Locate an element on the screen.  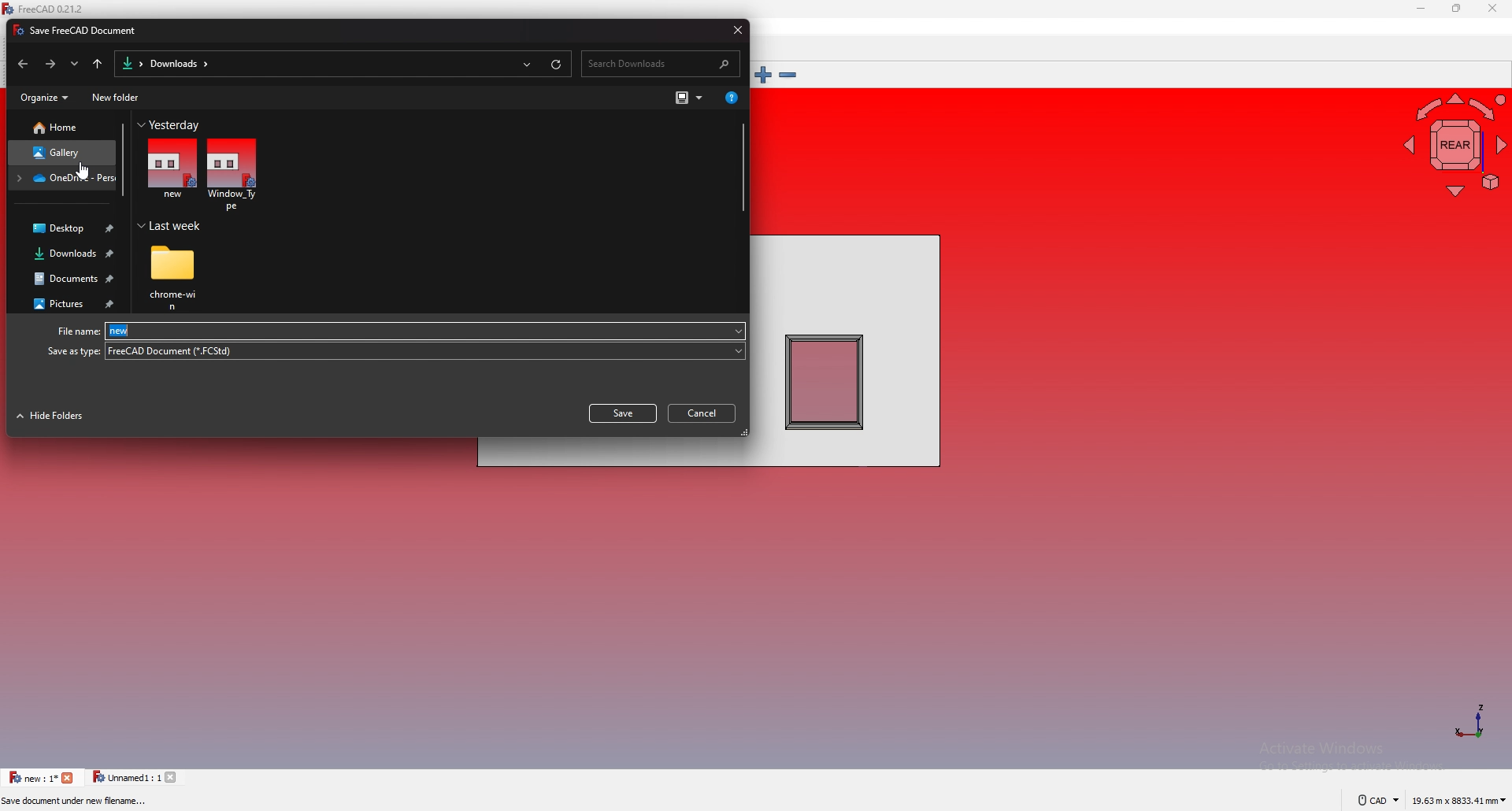
cancel is located at coordinates (702, 414).